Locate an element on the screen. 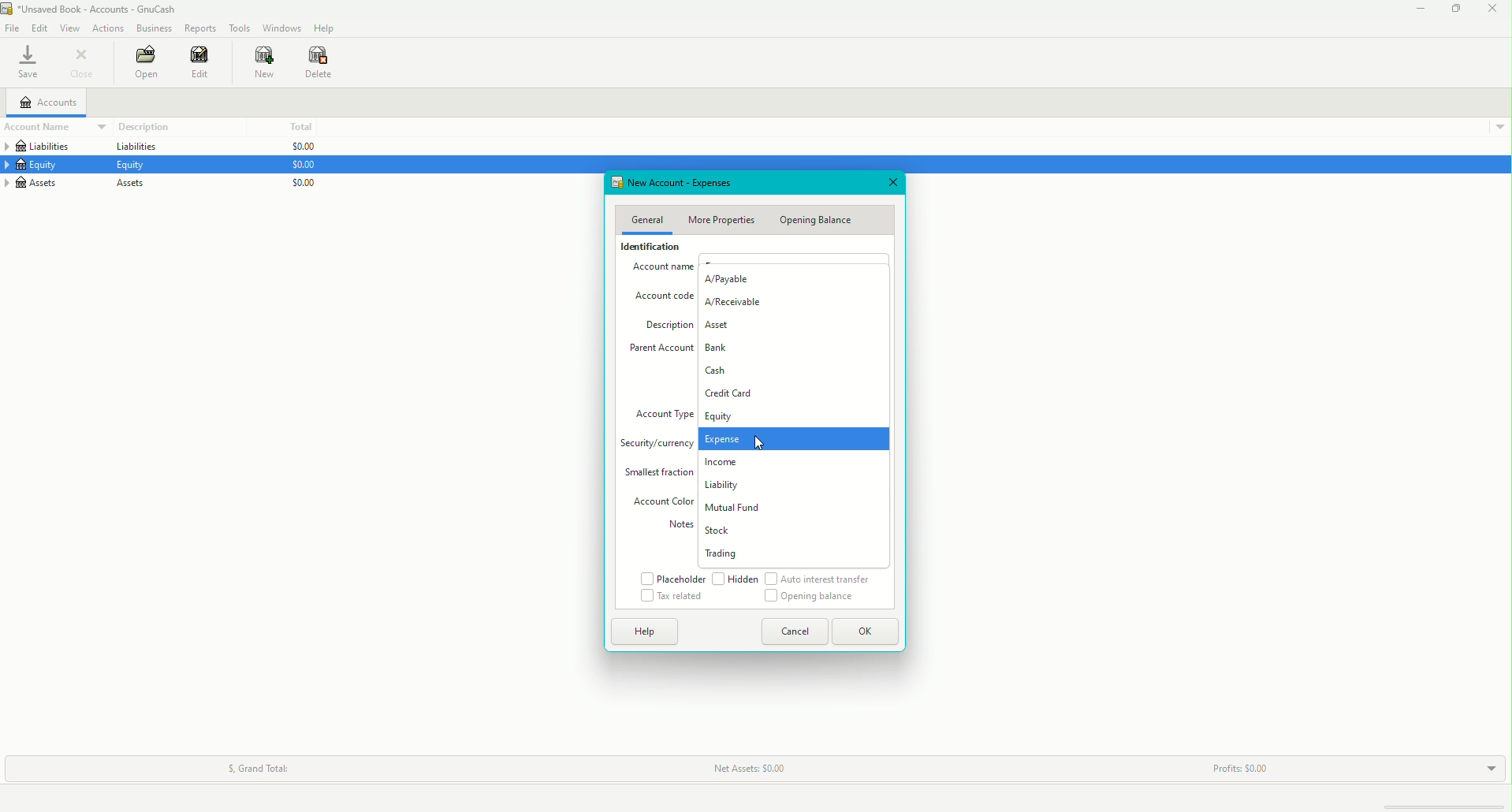 Image resolution: width=1512 pixels, height=812 pixels. Smallest Fraction is located at coordinates (658, 472).